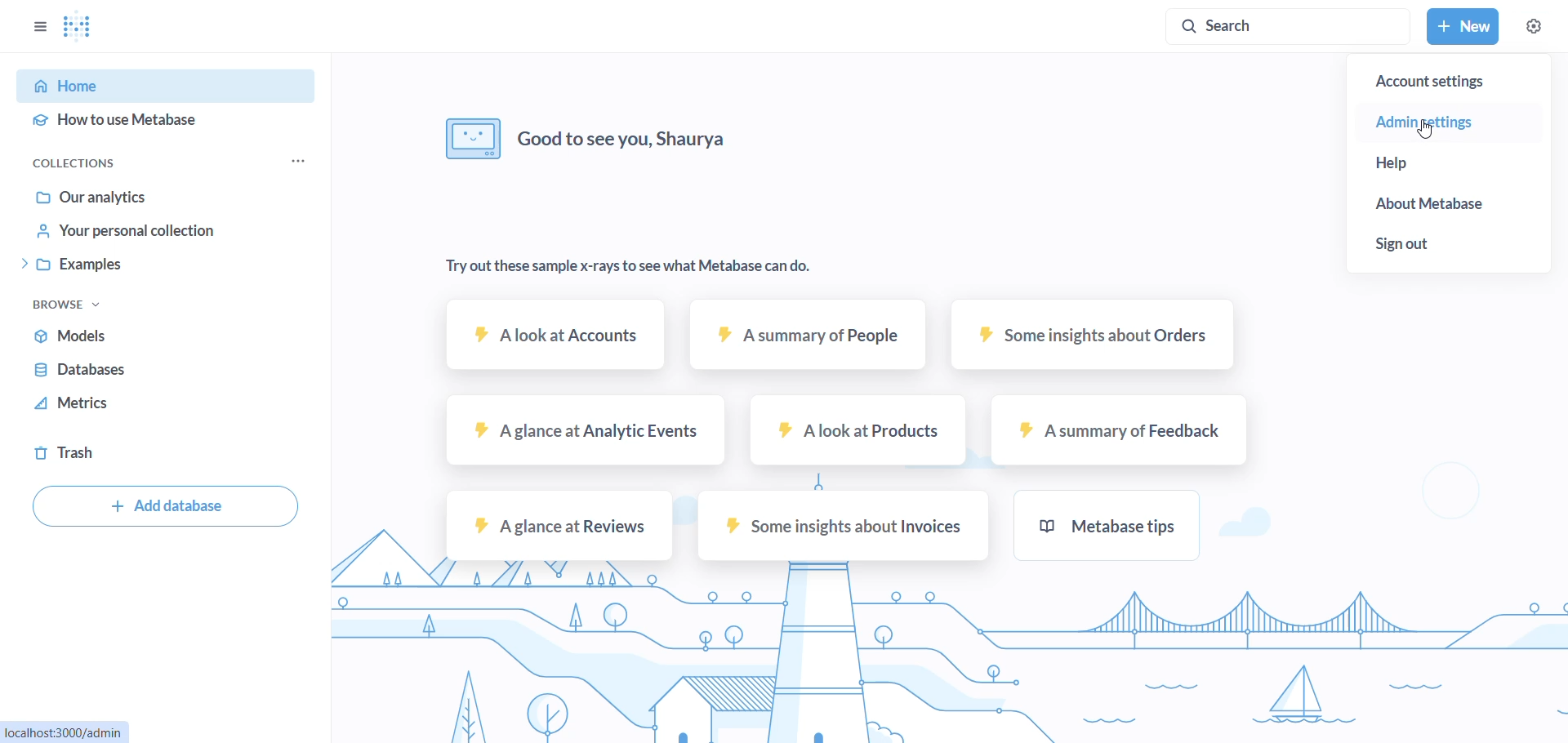 The image size is (1568, 743). Describe the element at coordinates (141, 265) in the screenshot. I see `examples` at that location.